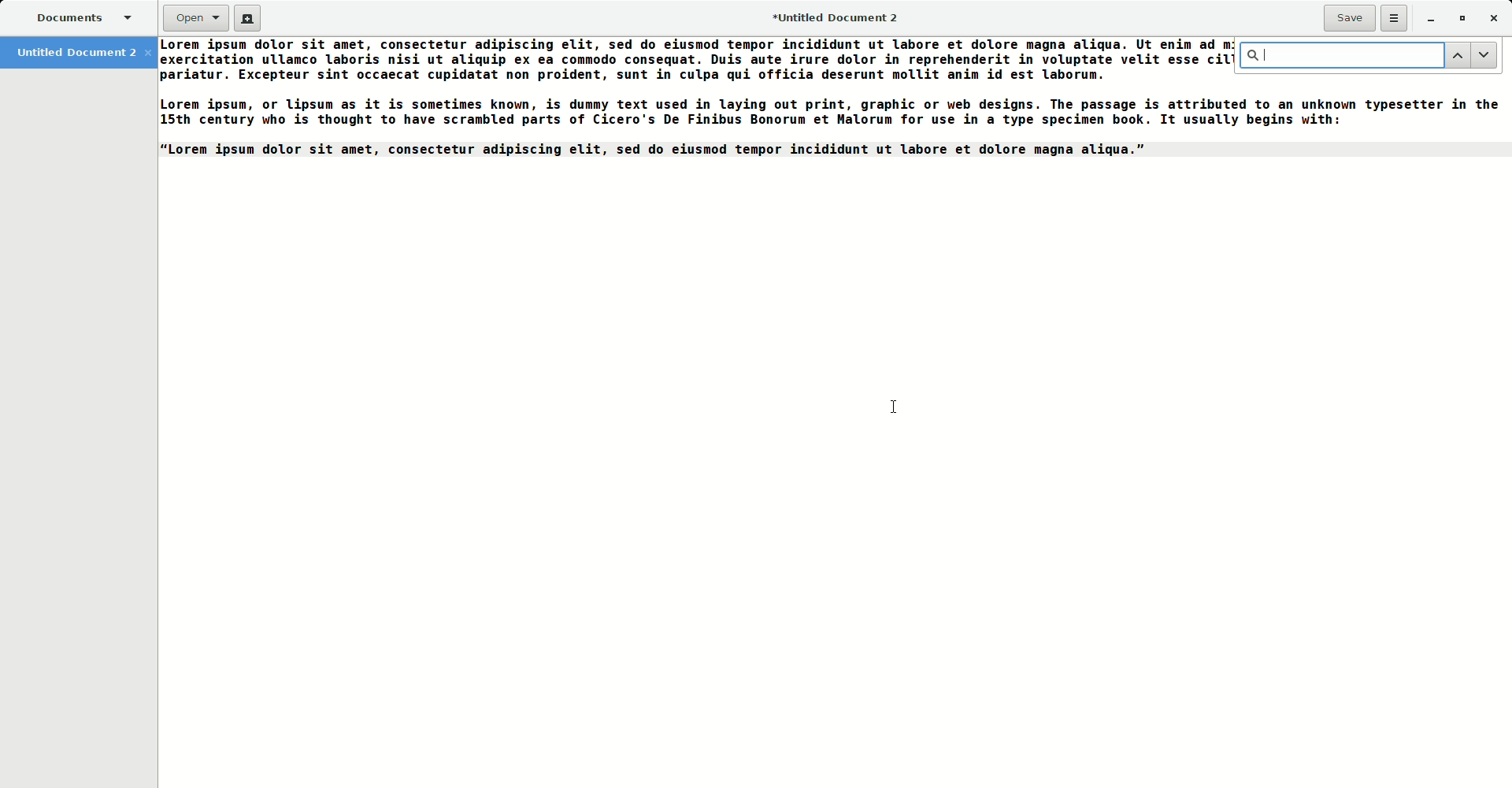 Image resolution: width=1512 pixels, height=788 pixels. What do you see at coordinates (691, 99) in the screenshot?
I see `Paragraphs` at bounding box center [691, 99].